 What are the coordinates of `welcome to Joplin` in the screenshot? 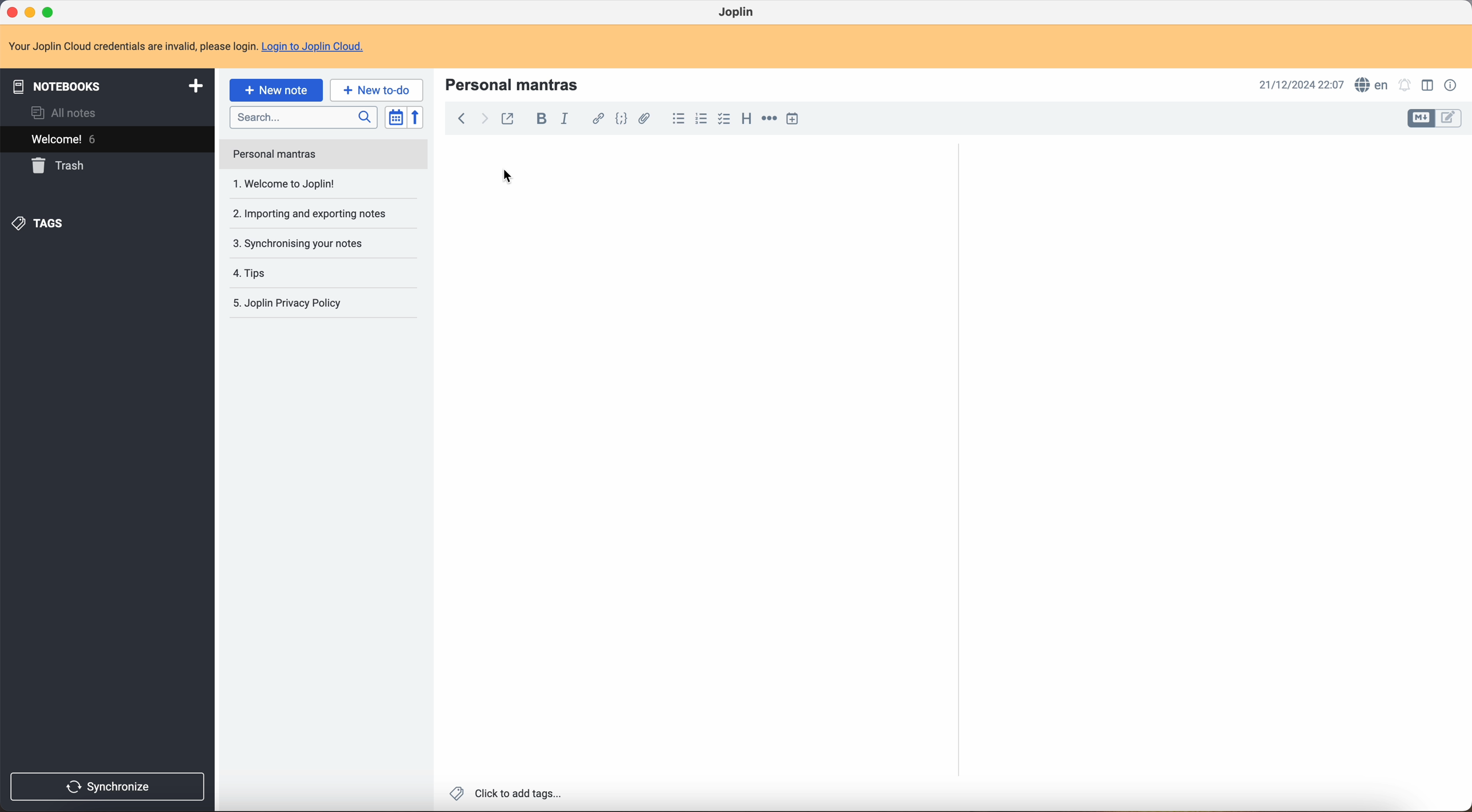 It's located at (287, 155).